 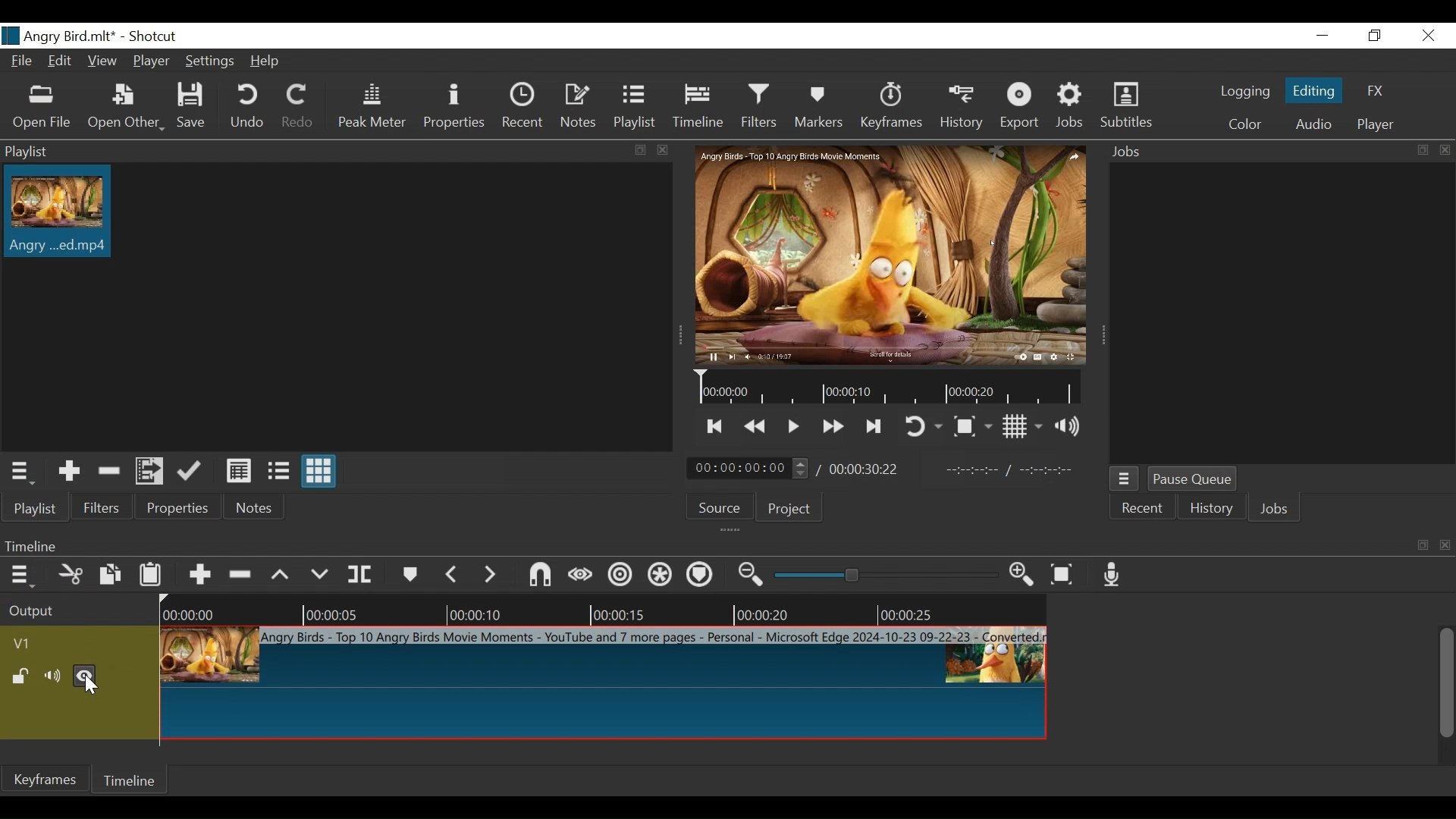 What do you see at coordinates (110, 575) in the screenshot?
I see `Copy` at bounding box center [110, 575].